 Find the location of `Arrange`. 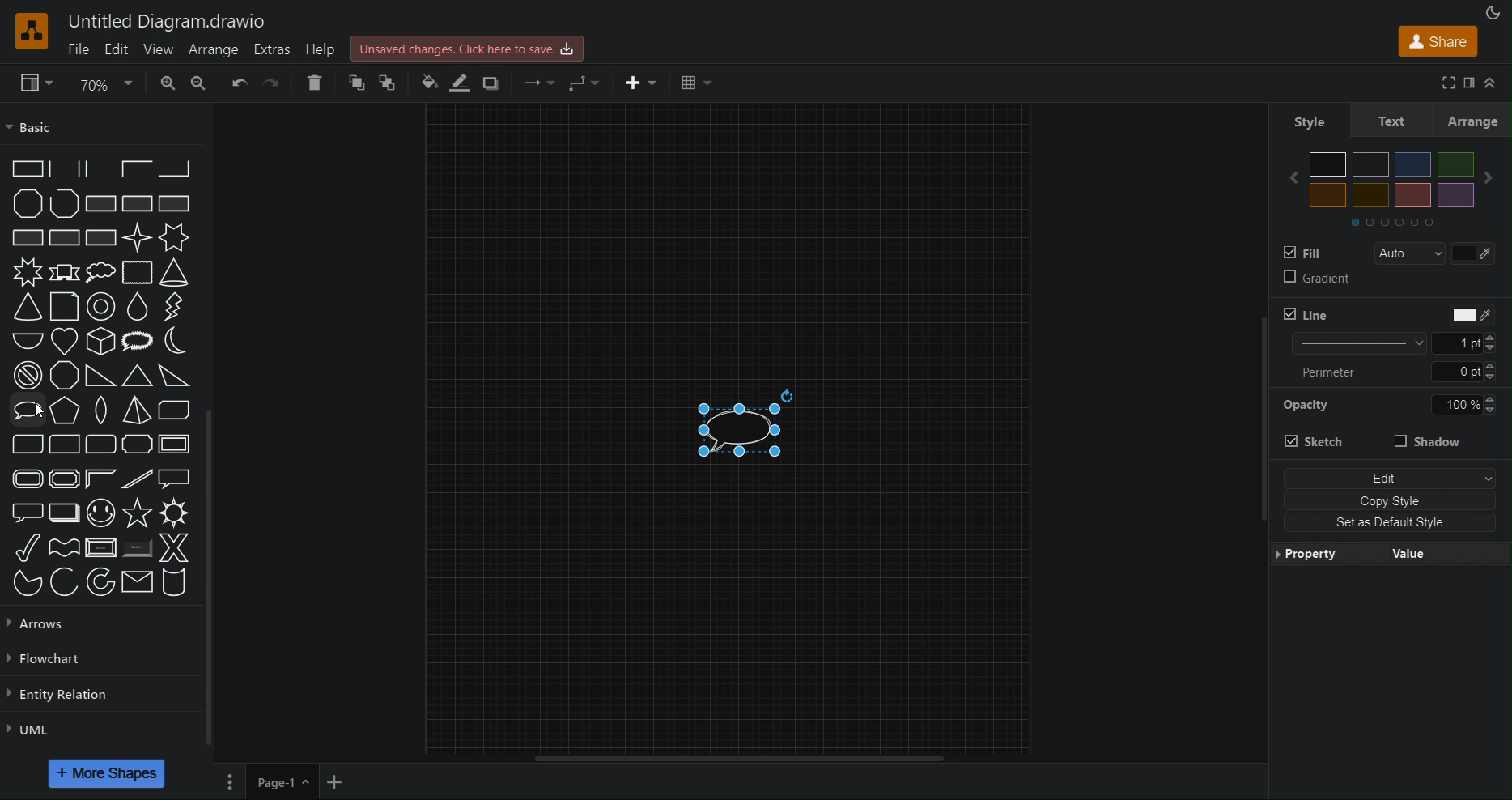

Arrange is located at coordinates (212, 48).